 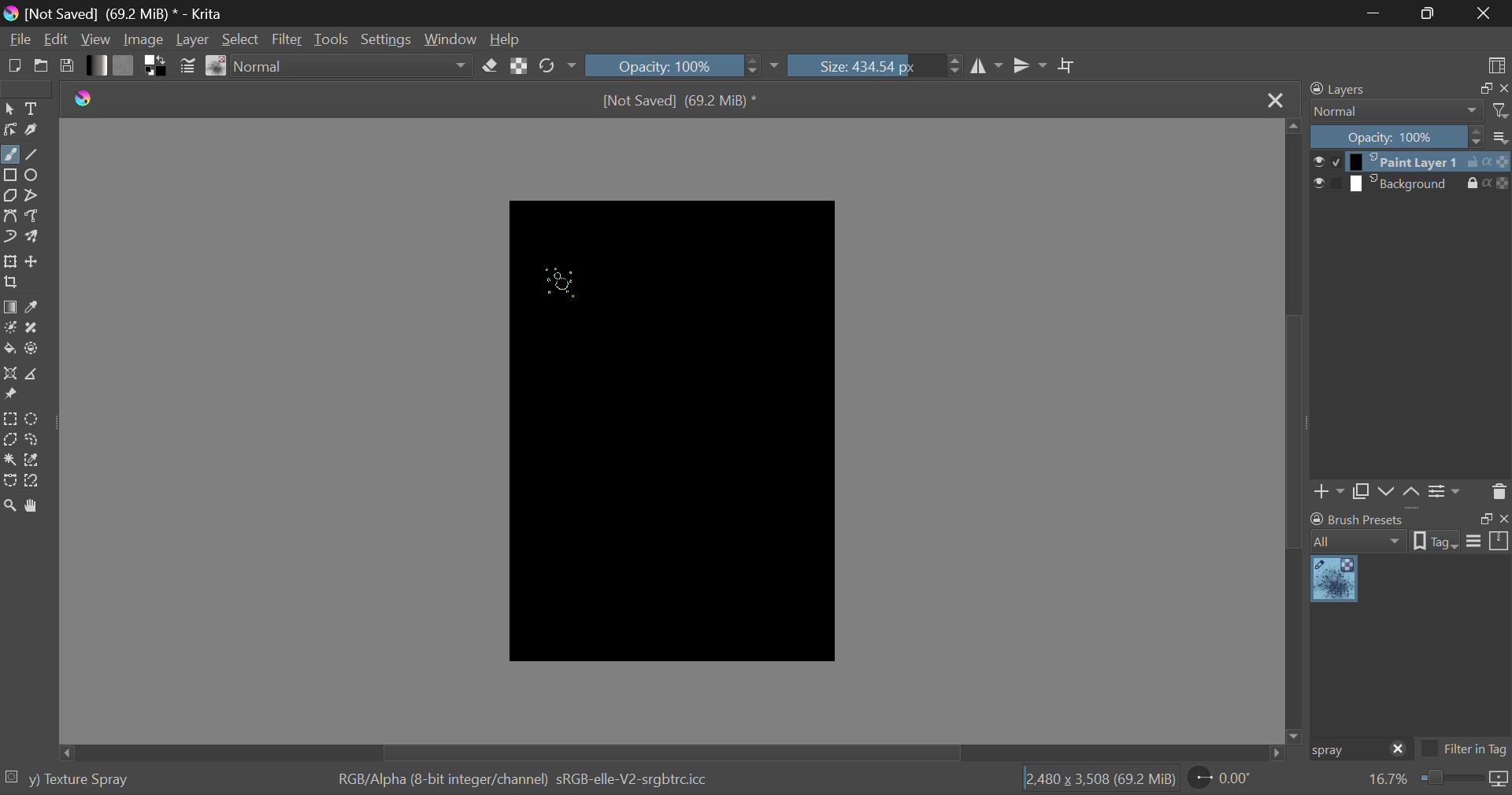 What do you see at coordinates (9, 458) in the screenshot?
I see `Continuous Fill` at bounding box center [9, 458].